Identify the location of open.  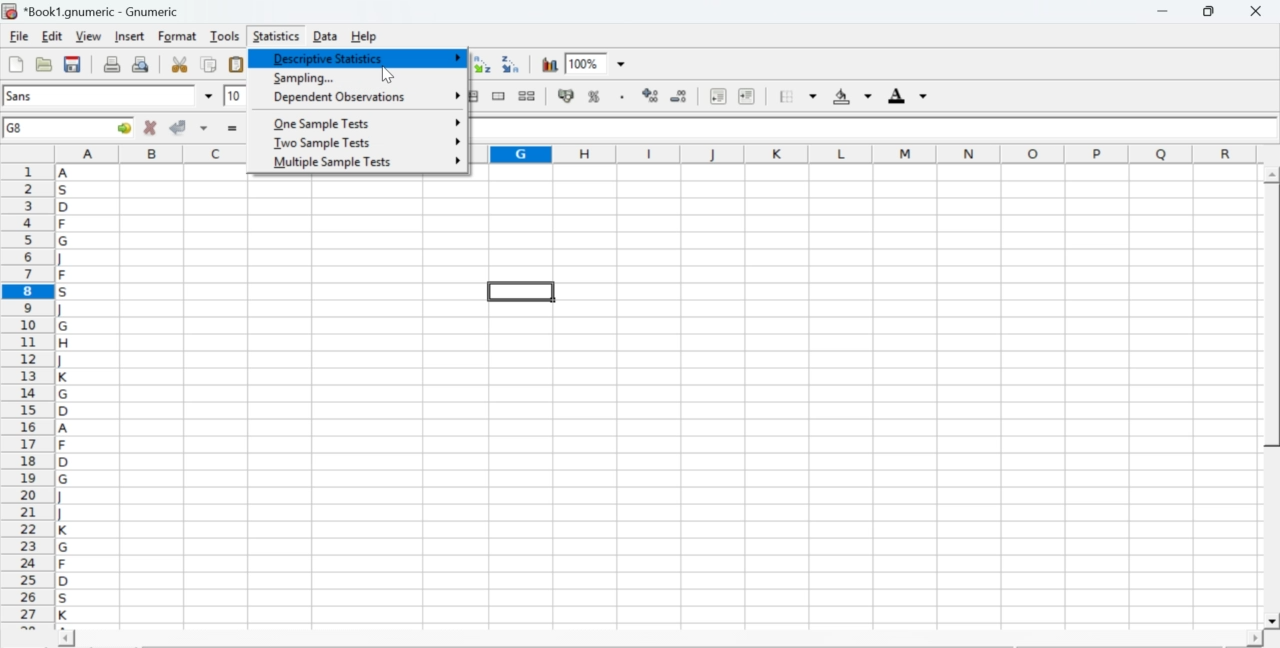
(42, 64).